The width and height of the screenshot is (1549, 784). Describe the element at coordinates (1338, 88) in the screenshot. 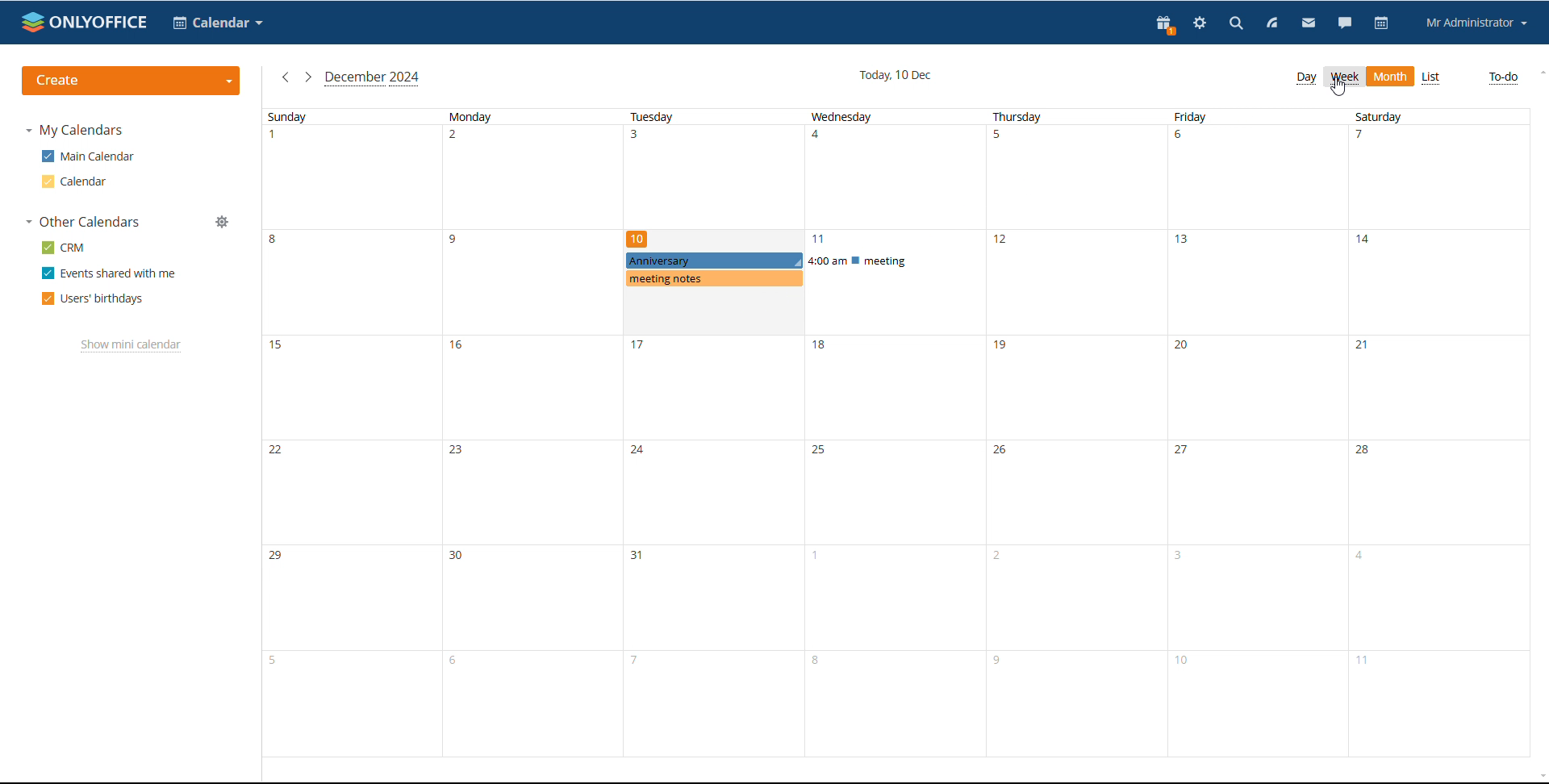

I see `cursor` at that location.